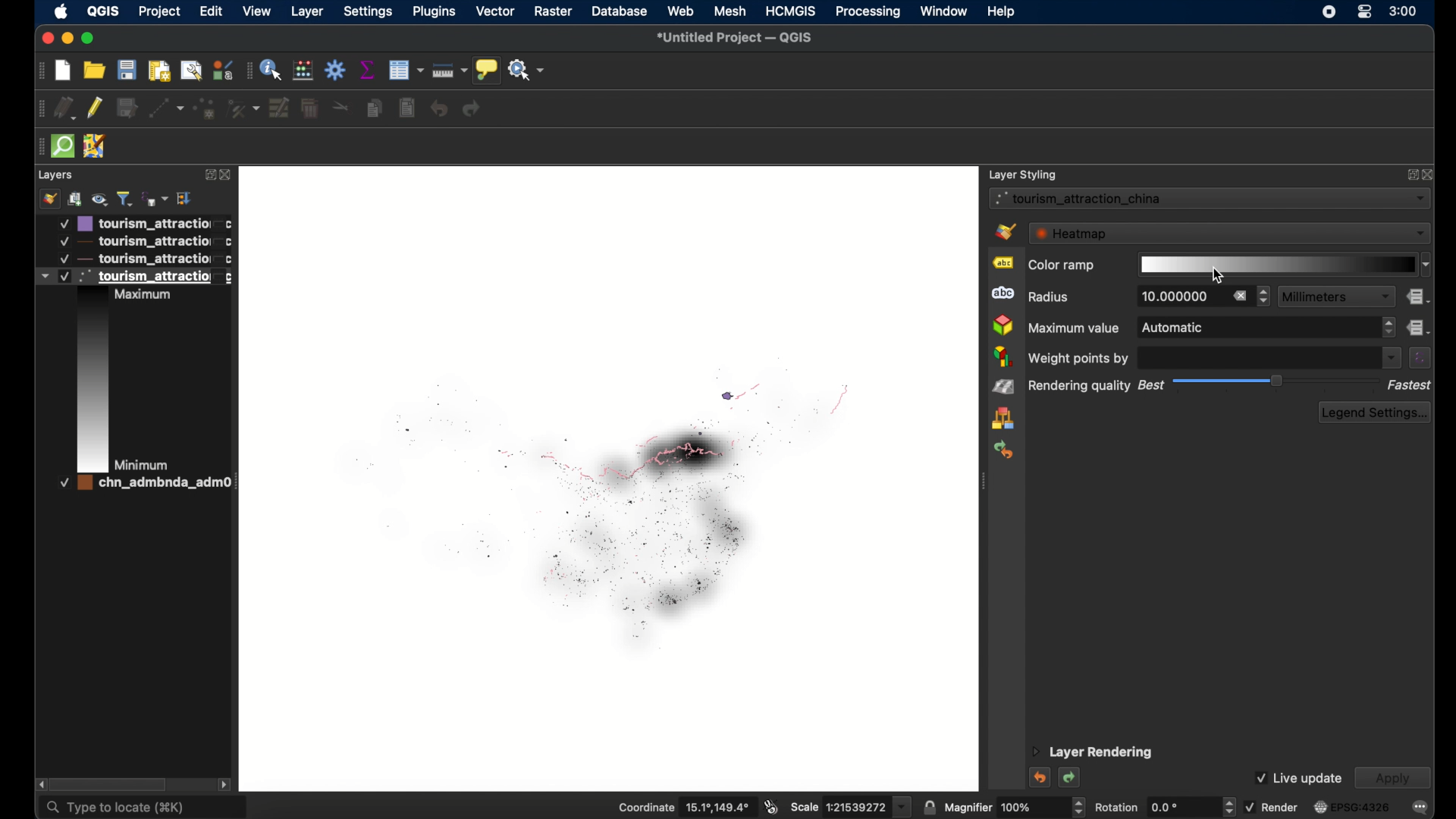 This screenshot has height=819, width=1456. What do you see at coordinates (302, 70) in the screenshot?
I see `open field calculator` at bounding box center [302, 70].